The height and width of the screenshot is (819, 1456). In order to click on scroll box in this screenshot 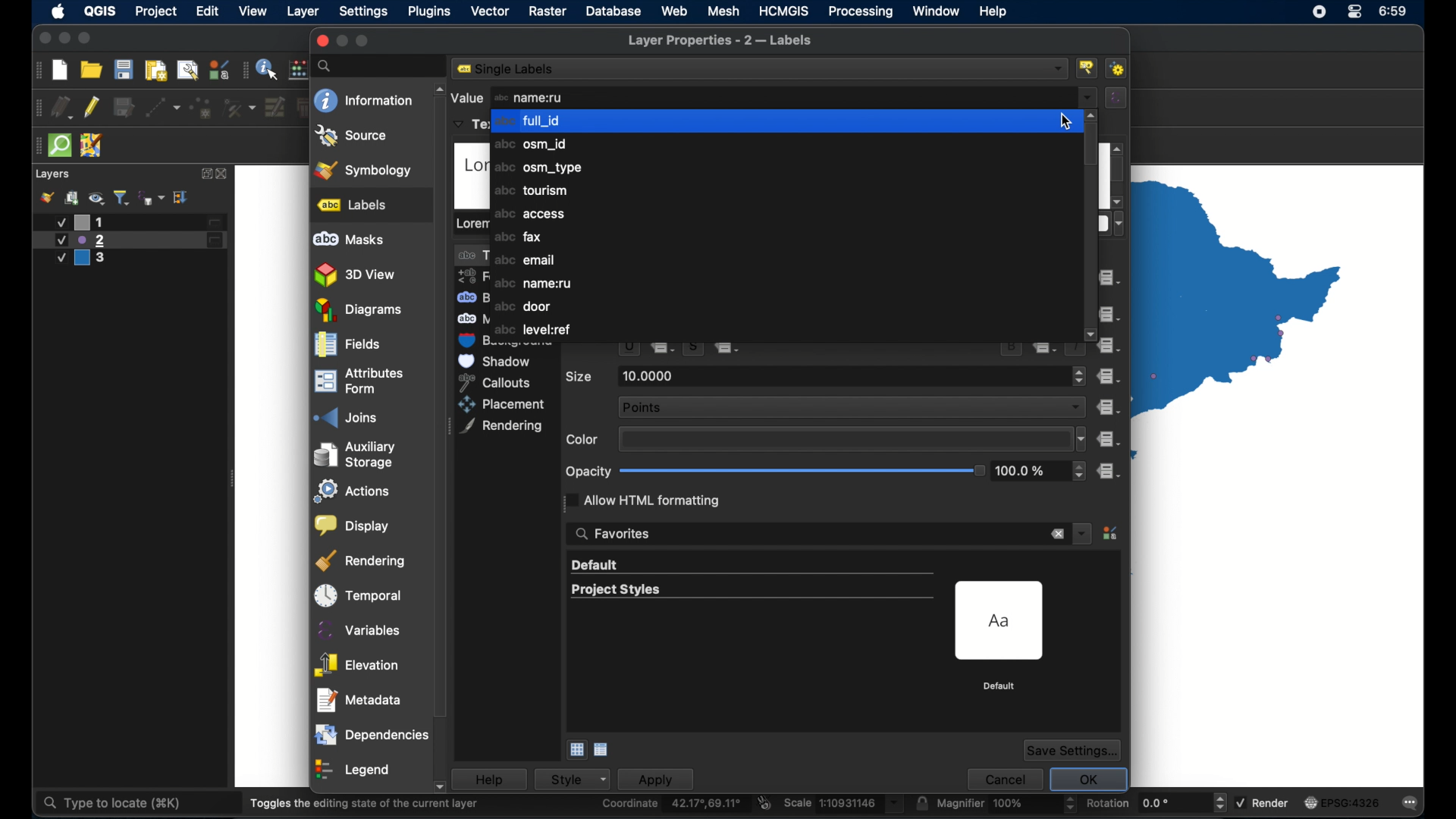, I will do `click(442, 447)`.